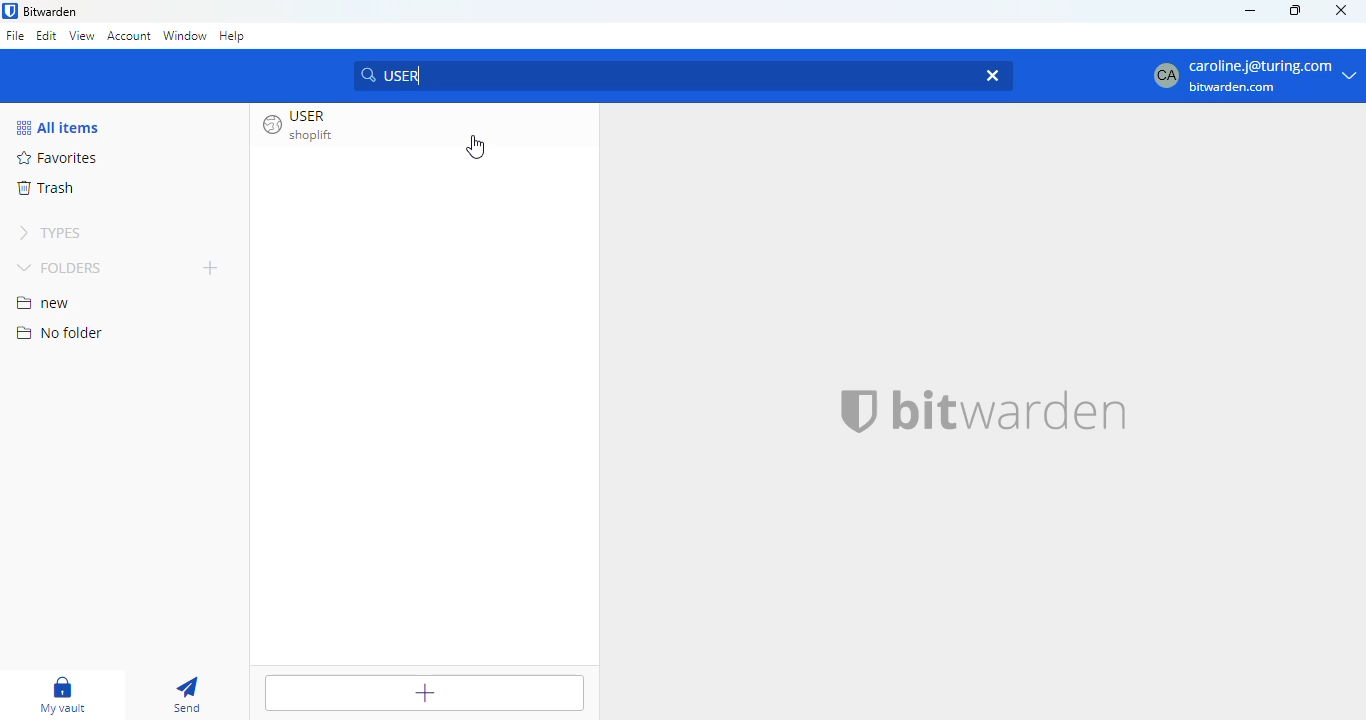  Describe the element at coordinates (1010, 409) in the screenshot. I see `bitwarden` at that location.